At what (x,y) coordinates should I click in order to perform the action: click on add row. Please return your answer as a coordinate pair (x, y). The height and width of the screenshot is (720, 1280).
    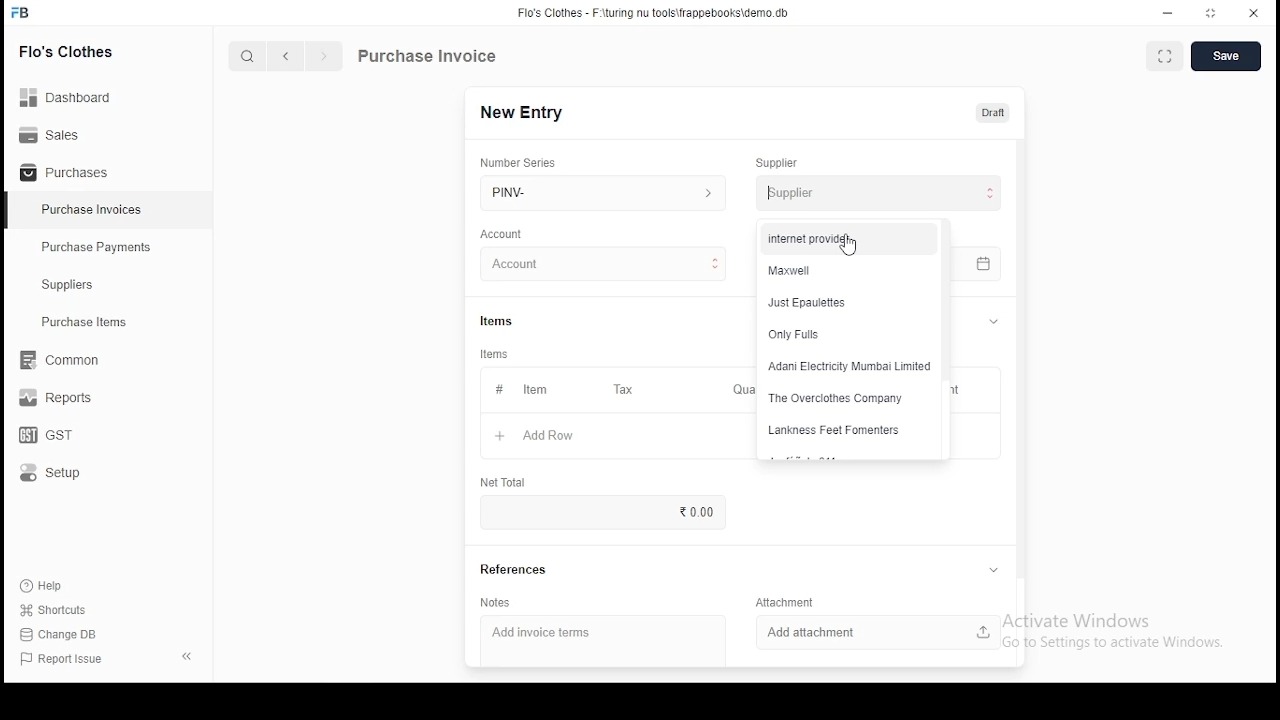
    Looking at the image, I should click on (551, 436).